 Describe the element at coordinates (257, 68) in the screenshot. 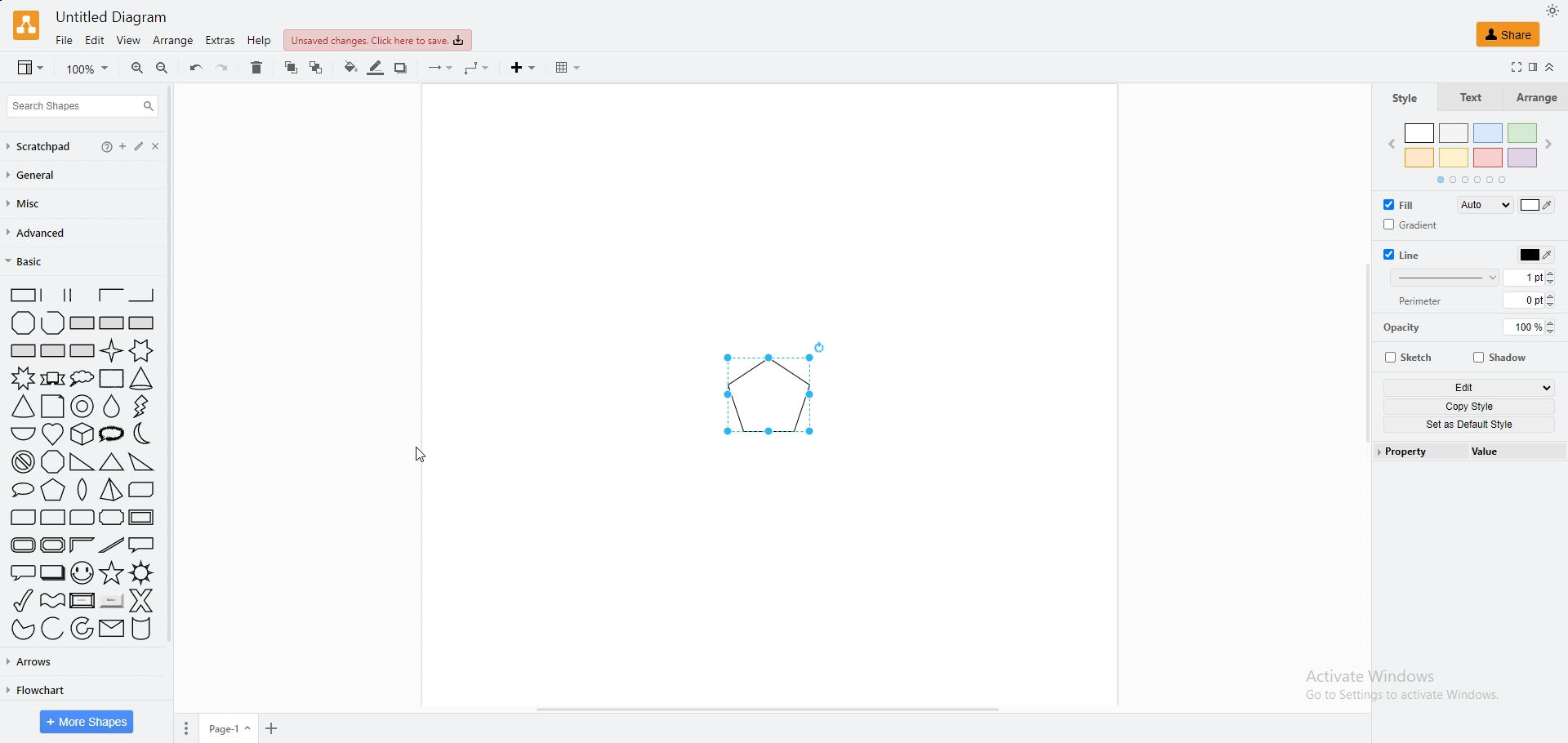

I see `delete` at that location.